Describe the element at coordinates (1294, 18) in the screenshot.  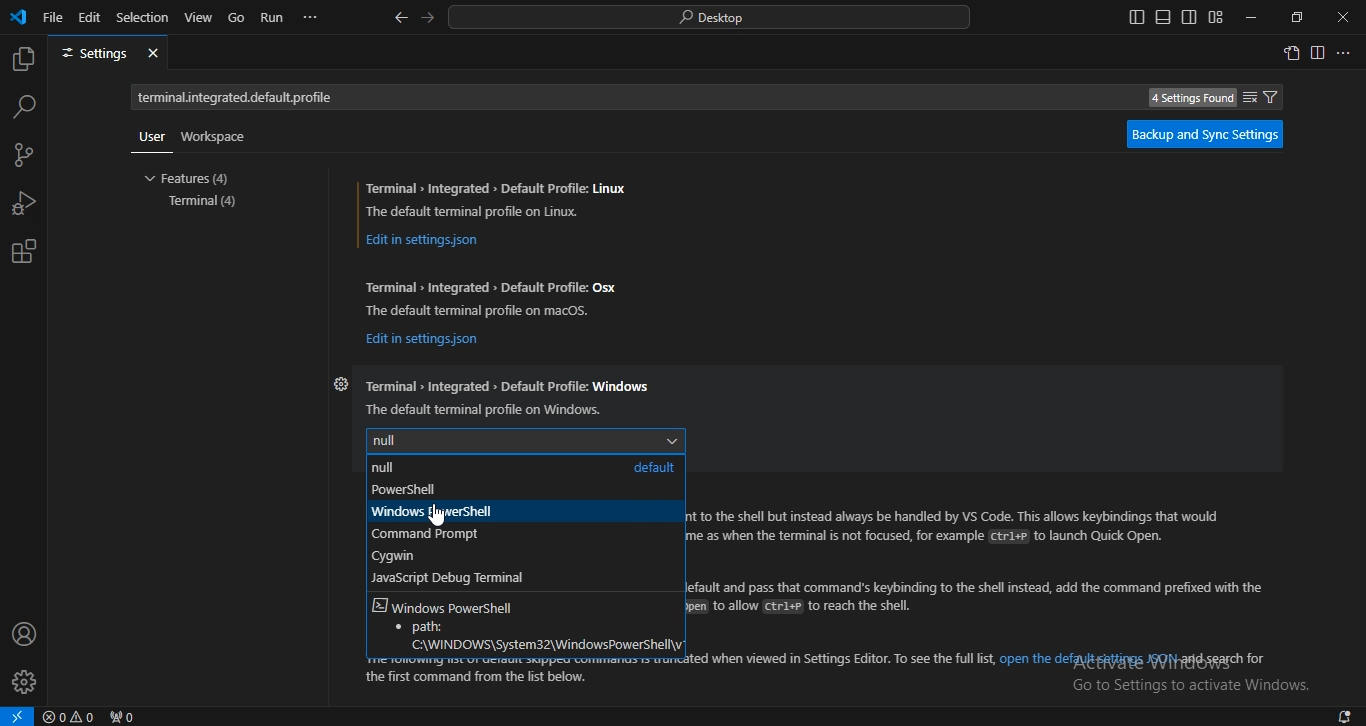
I see `restore windows` at that location.